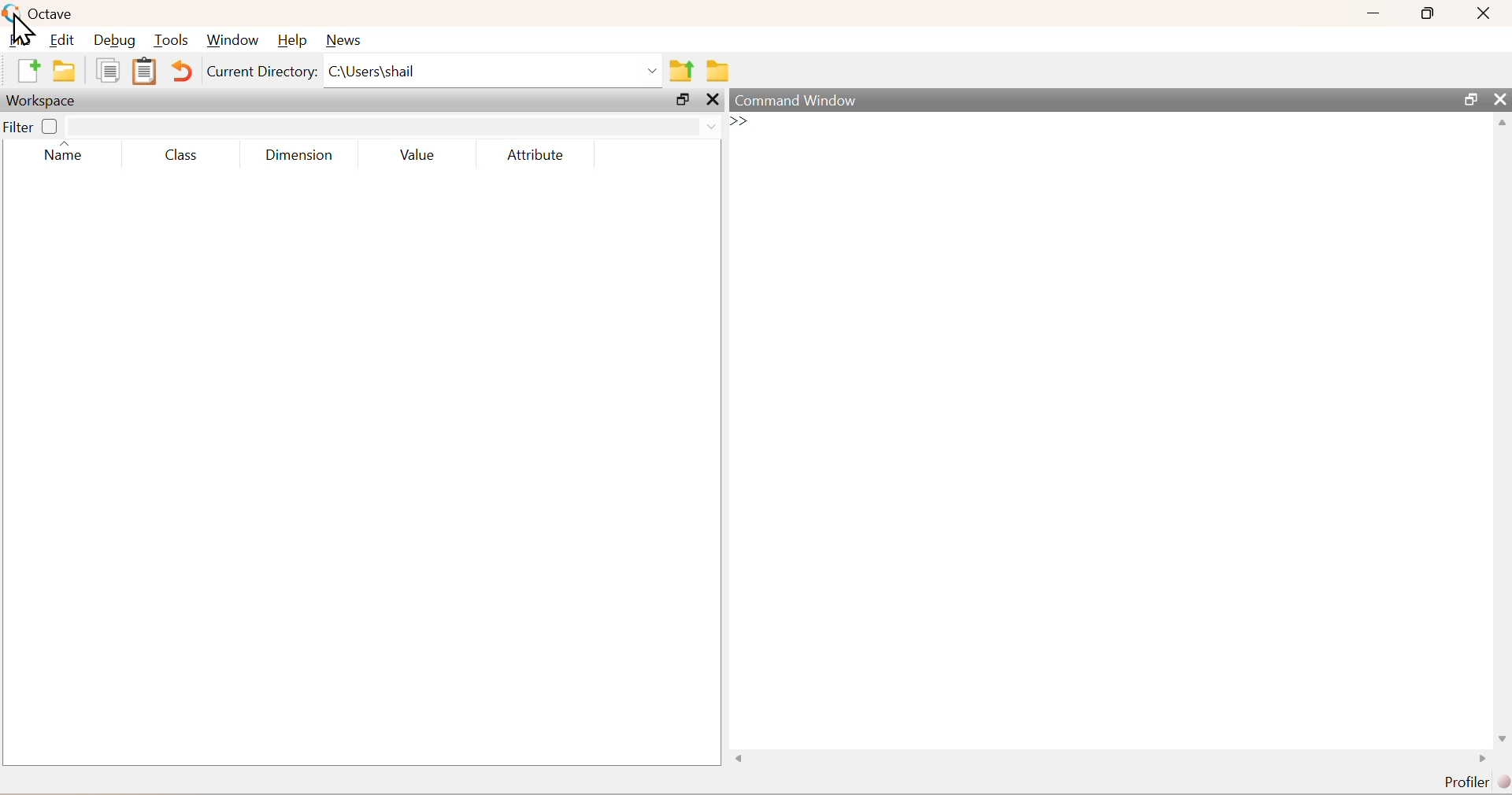 The width and height of the screenshot is (1512, 795). Describe the element at coordinates (23, 30) in the screenshot. I see `cursor` at that location.